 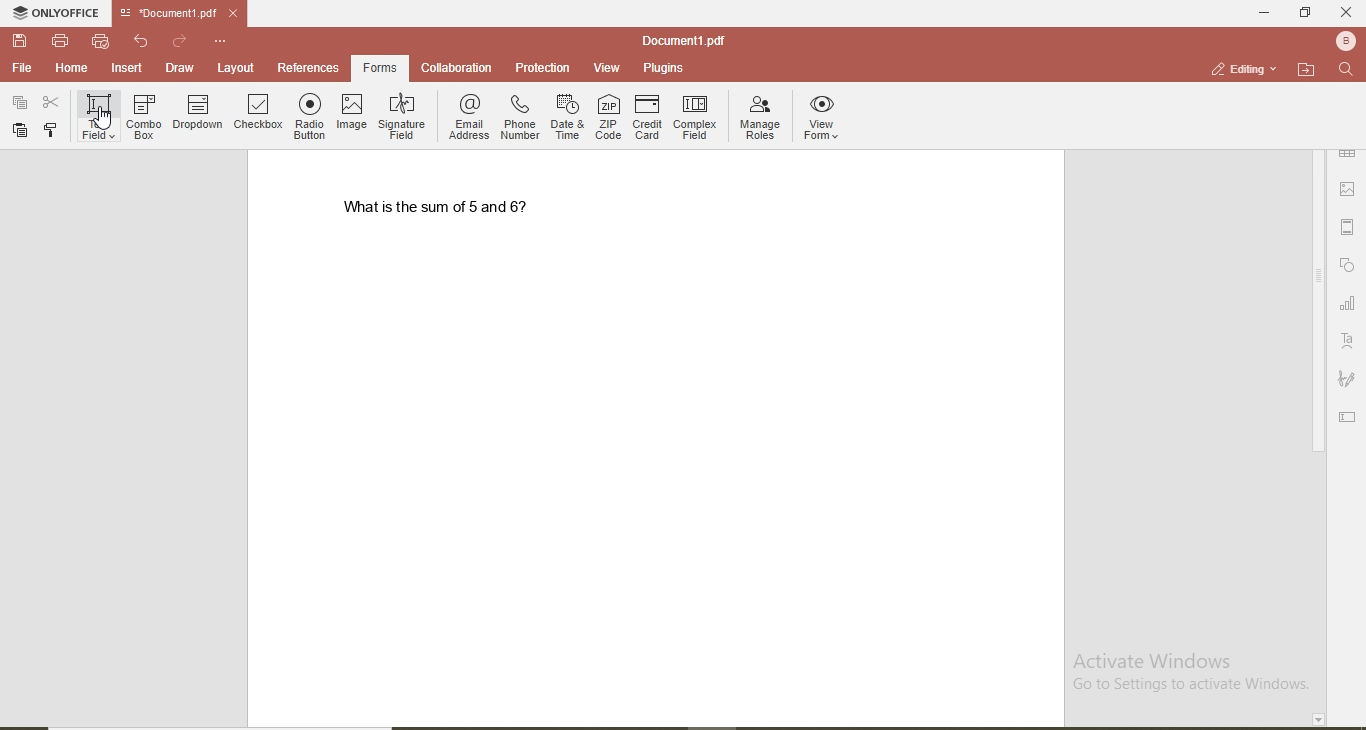 I want to click on plugins, so click(x=665, y=69).